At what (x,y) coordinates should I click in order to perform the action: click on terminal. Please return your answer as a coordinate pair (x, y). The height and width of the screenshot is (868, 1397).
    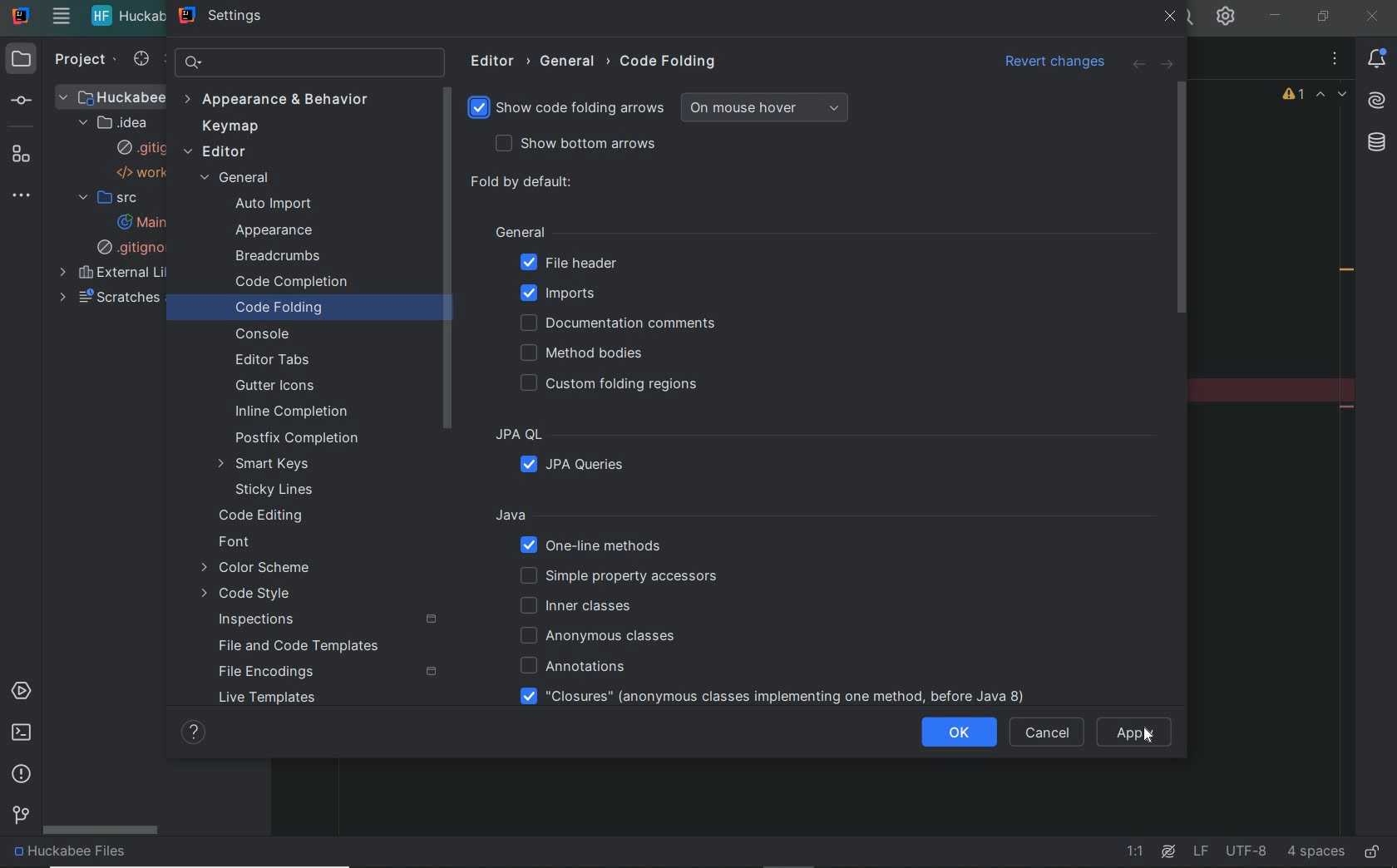
    Looking at the image, I should click on (21, 733).